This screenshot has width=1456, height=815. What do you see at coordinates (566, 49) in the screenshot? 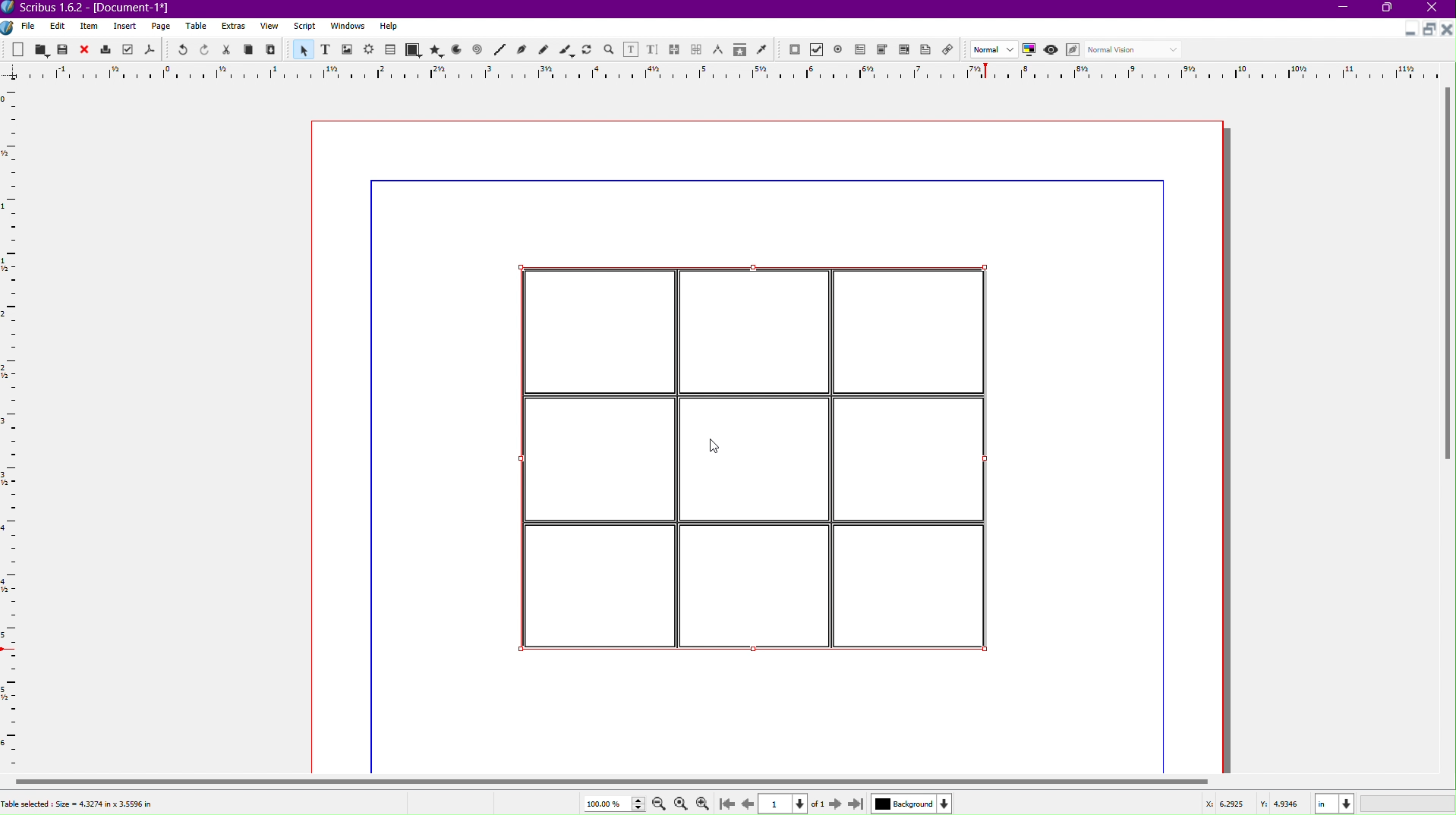
I see `Calligraphic Line` at bounding box center [566, 49].